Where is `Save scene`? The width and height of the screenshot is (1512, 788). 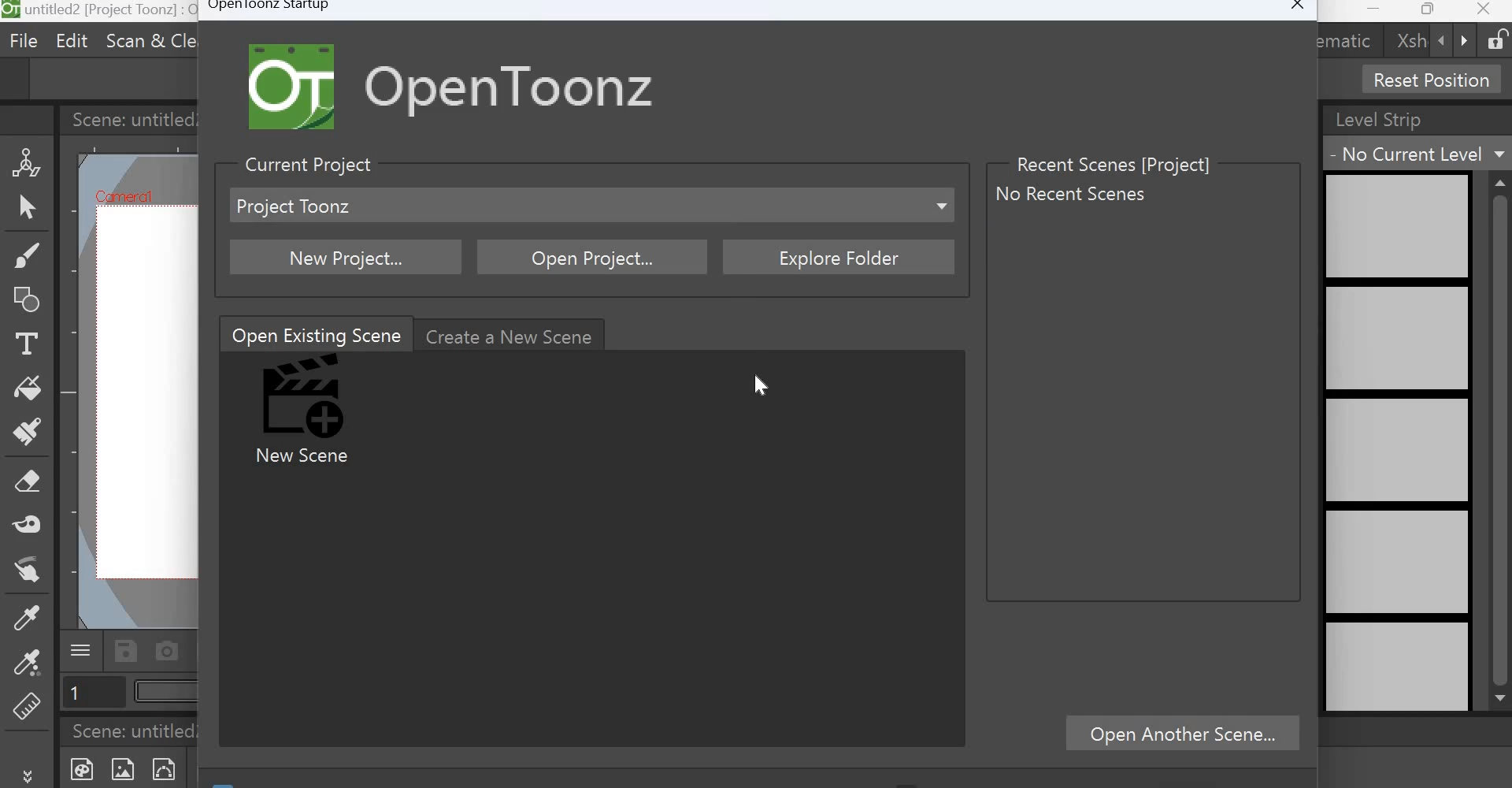 Save scene is located at coordinates (126, 651).